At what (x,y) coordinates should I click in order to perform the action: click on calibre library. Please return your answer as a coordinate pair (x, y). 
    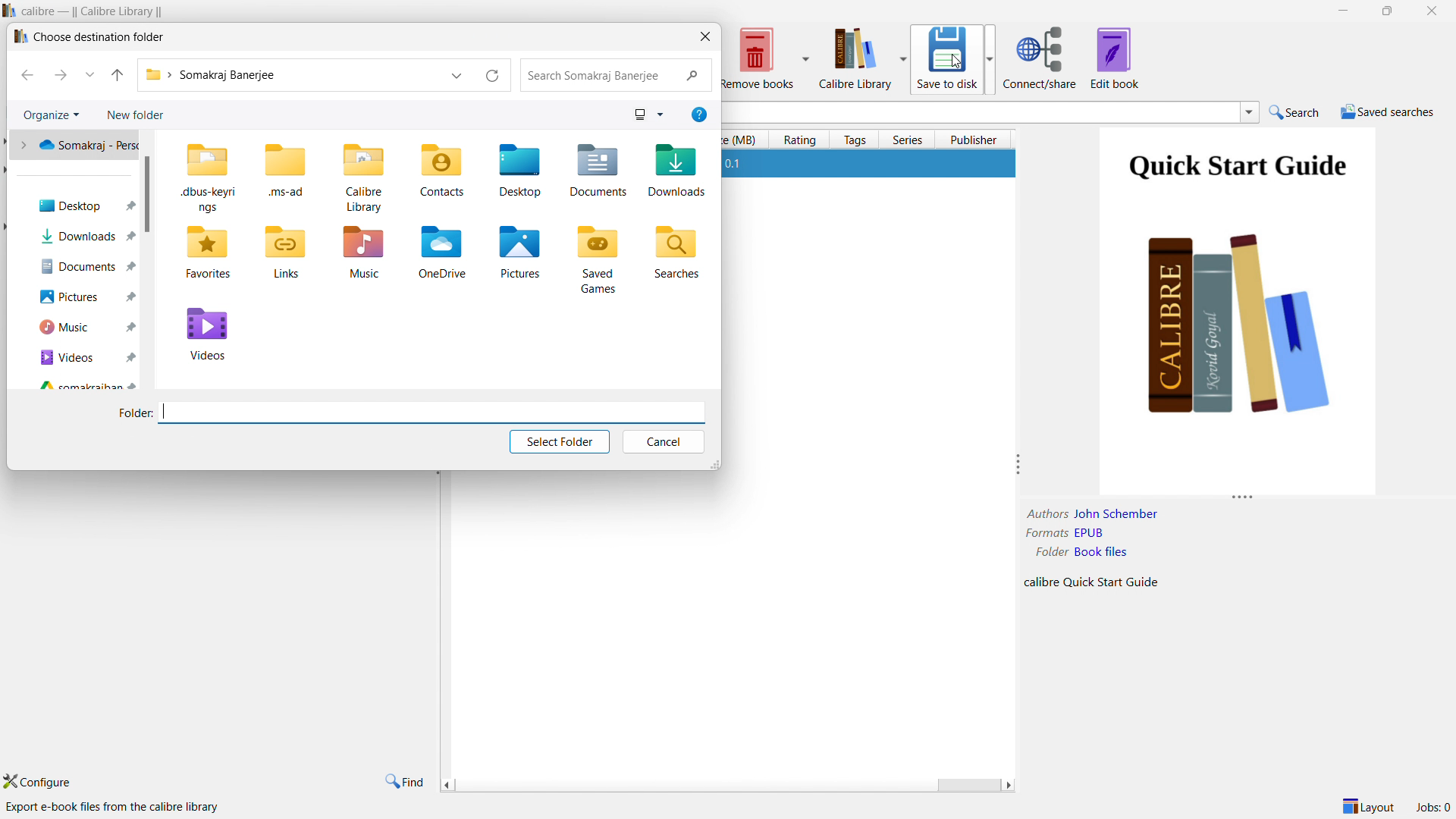
    Looking at the image, I should click on (862, 58).